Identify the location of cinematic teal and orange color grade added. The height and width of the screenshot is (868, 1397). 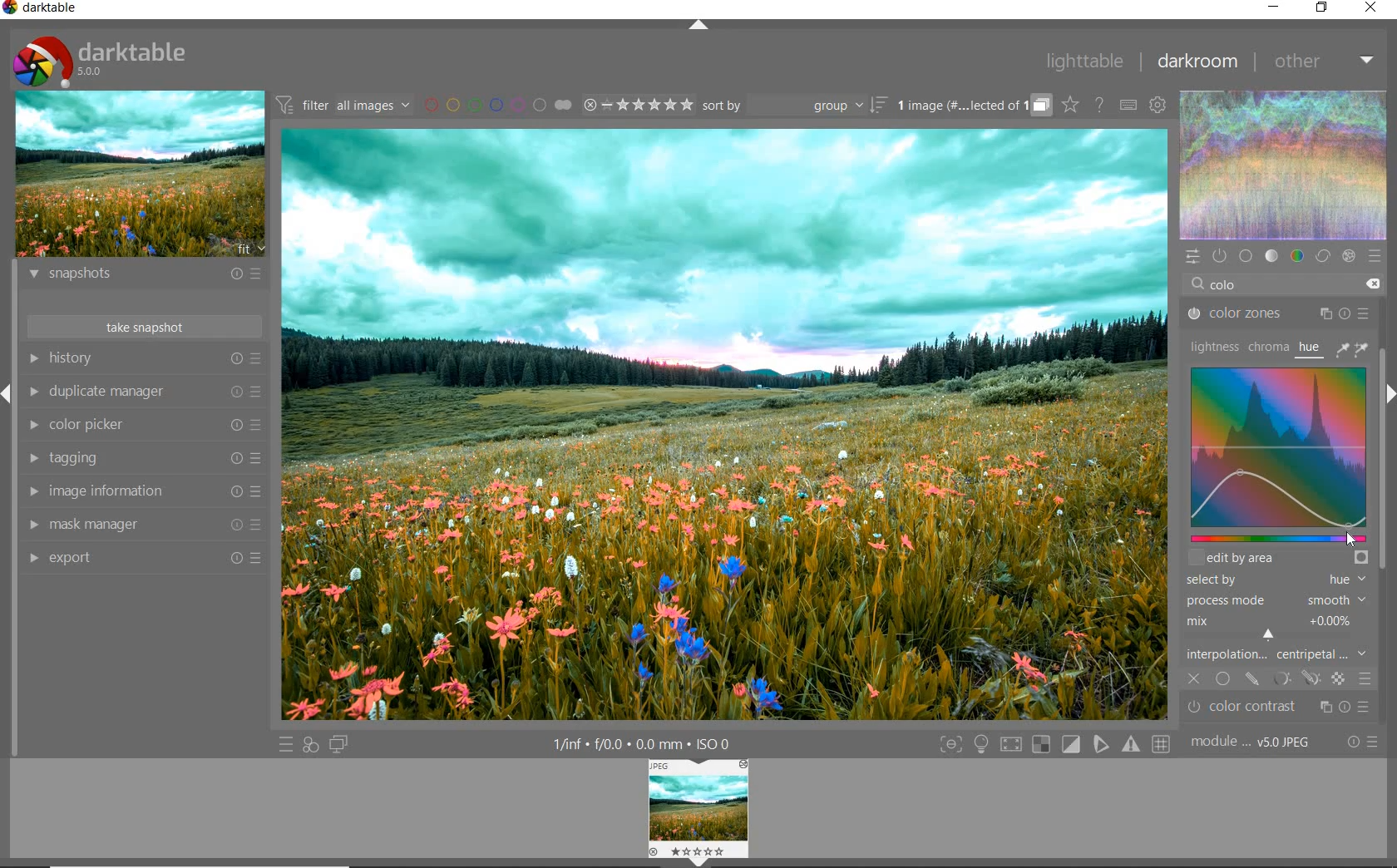
(725, 427).